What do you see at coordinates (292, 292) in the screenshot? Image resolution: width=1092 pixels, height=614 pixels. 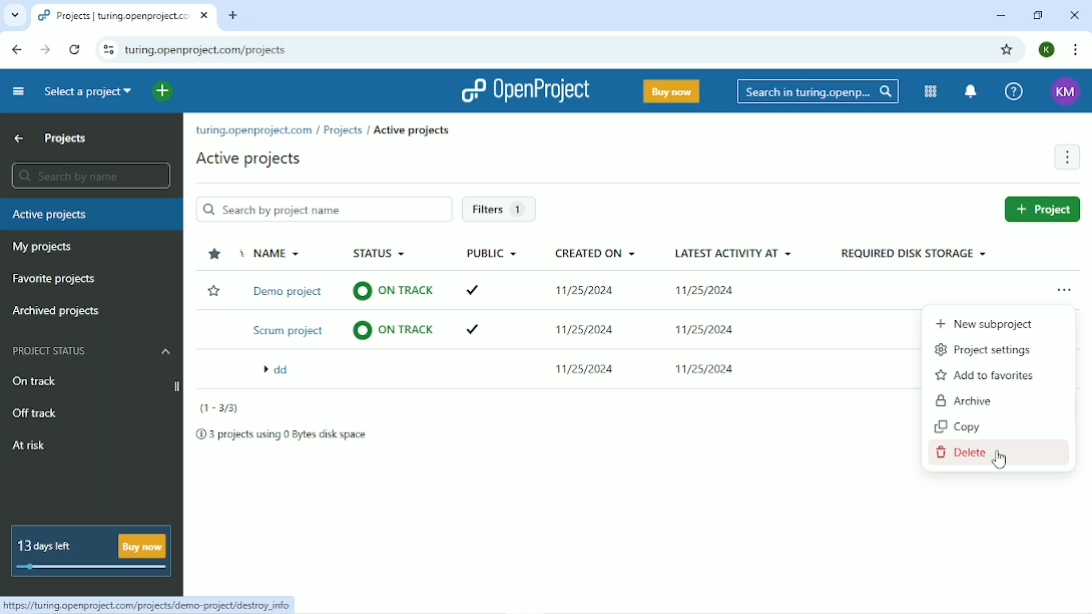 I see `Demo project` at bounding box center [292, 292].